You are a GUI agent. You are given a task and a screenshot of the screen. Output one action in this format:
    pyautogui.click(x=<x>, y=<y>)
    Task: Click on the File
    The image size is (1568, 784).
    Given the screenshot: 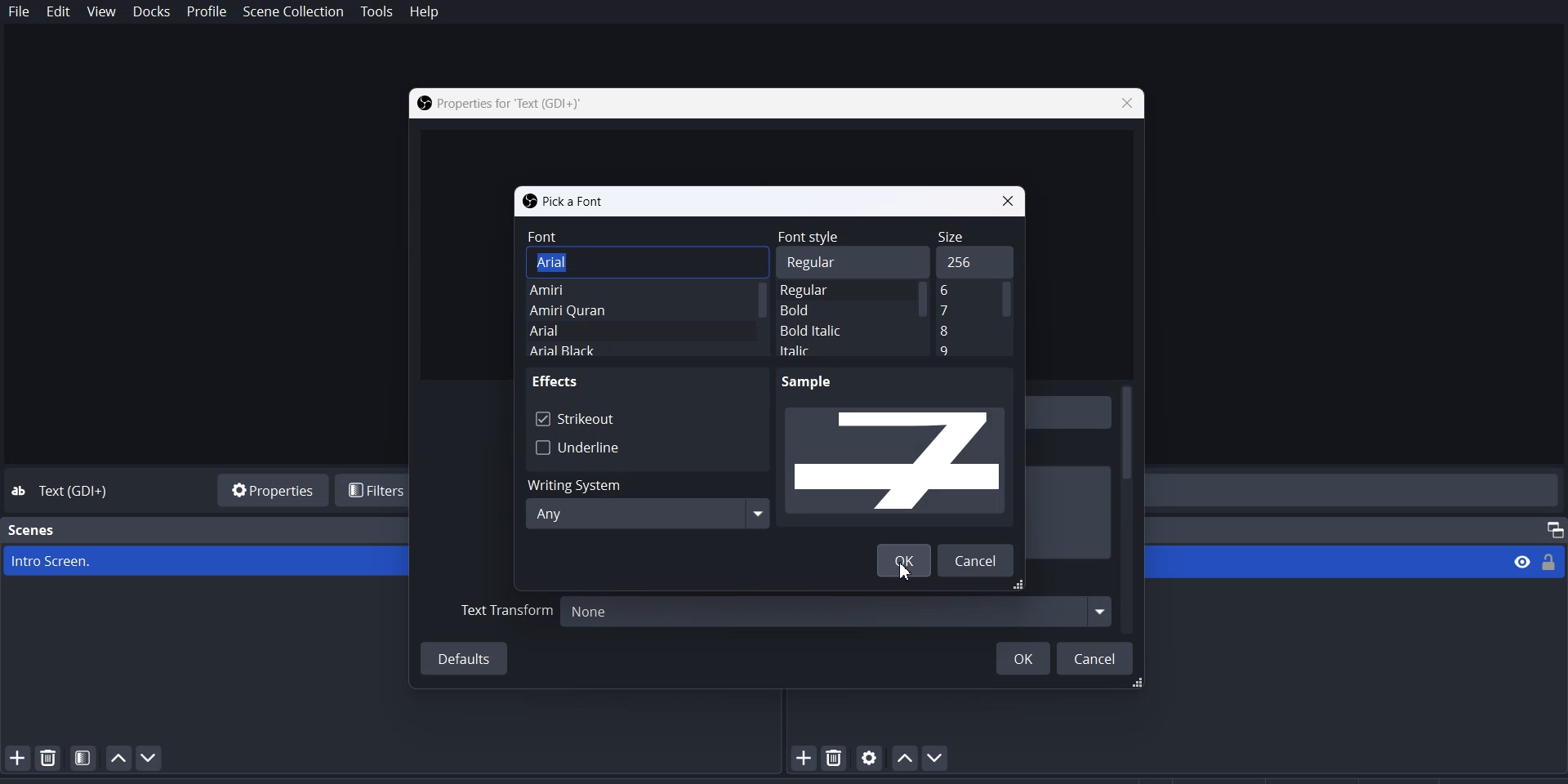 What is the action you would take?
    pyautogui.click(x=20, y=12)
    